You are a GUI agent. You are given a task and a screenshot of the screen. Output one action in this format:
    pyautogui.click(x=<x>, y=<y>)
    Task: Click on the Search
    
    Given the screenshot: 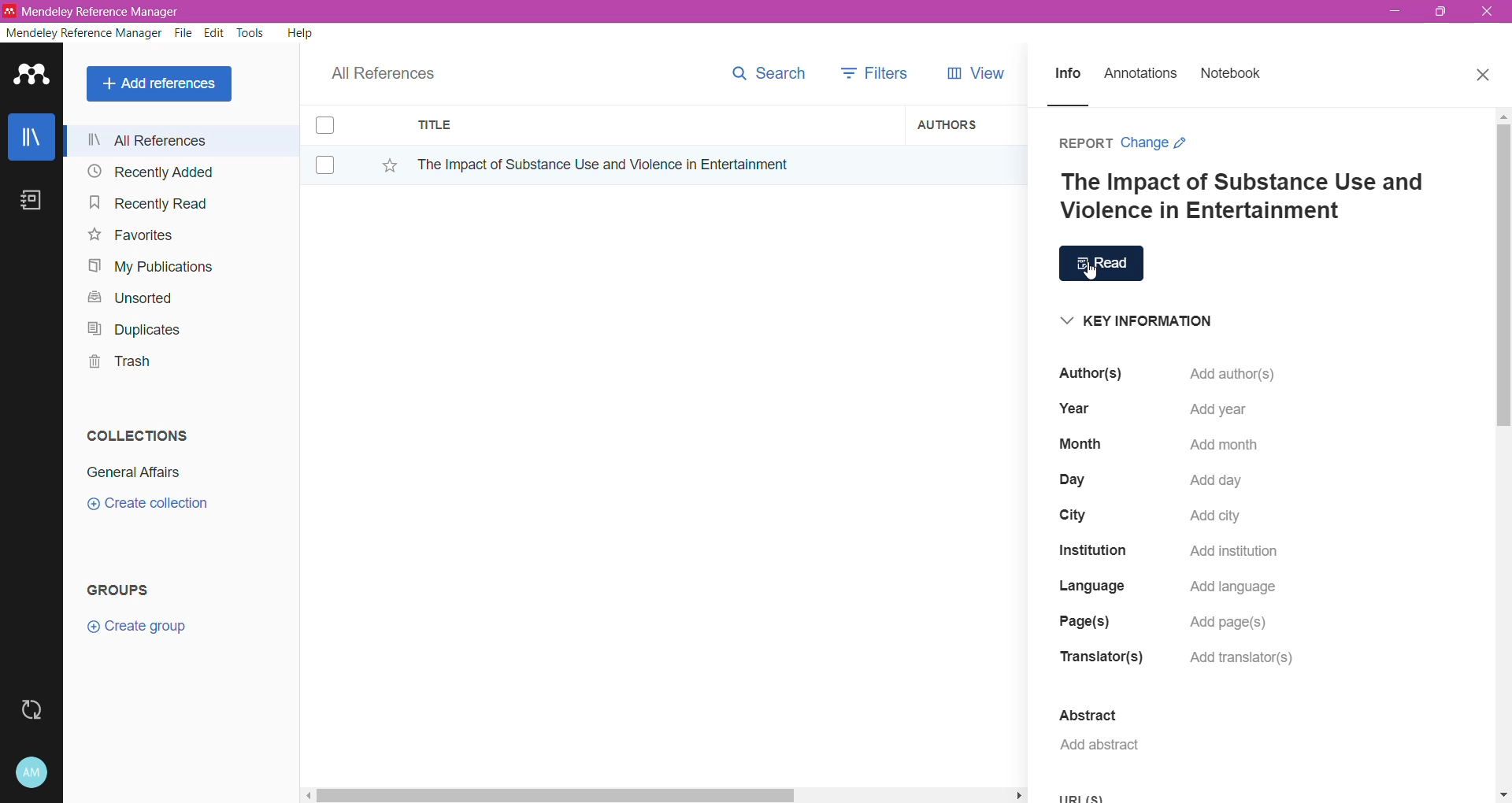 What is the action you would take?
    pyautogui.click(x=765, y=74)
    